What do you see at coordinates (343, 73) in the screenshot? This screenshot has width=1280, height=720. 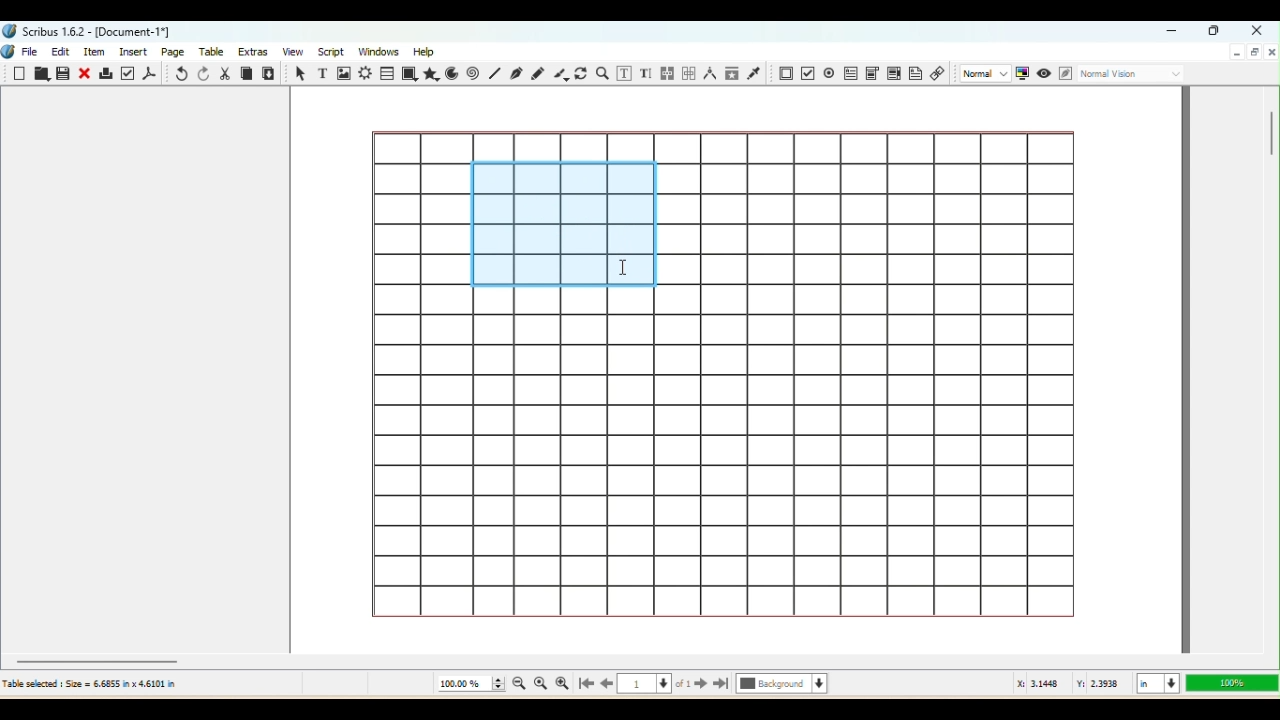 I see `Image frame` at bounding box center [343, 73].